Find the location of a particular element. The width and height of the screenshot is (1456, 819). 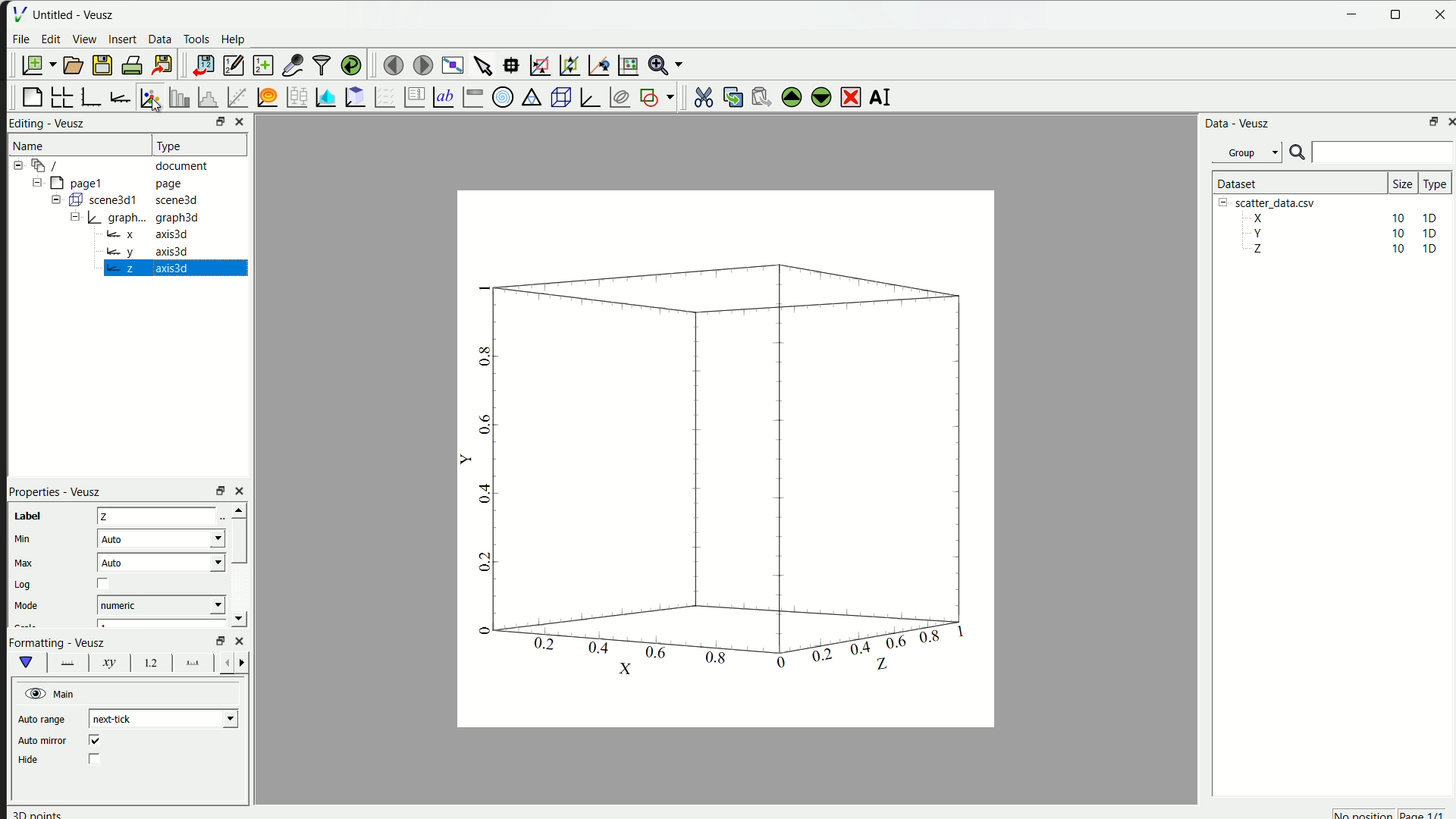

wy axis3d is located at coordinates (146, 250).